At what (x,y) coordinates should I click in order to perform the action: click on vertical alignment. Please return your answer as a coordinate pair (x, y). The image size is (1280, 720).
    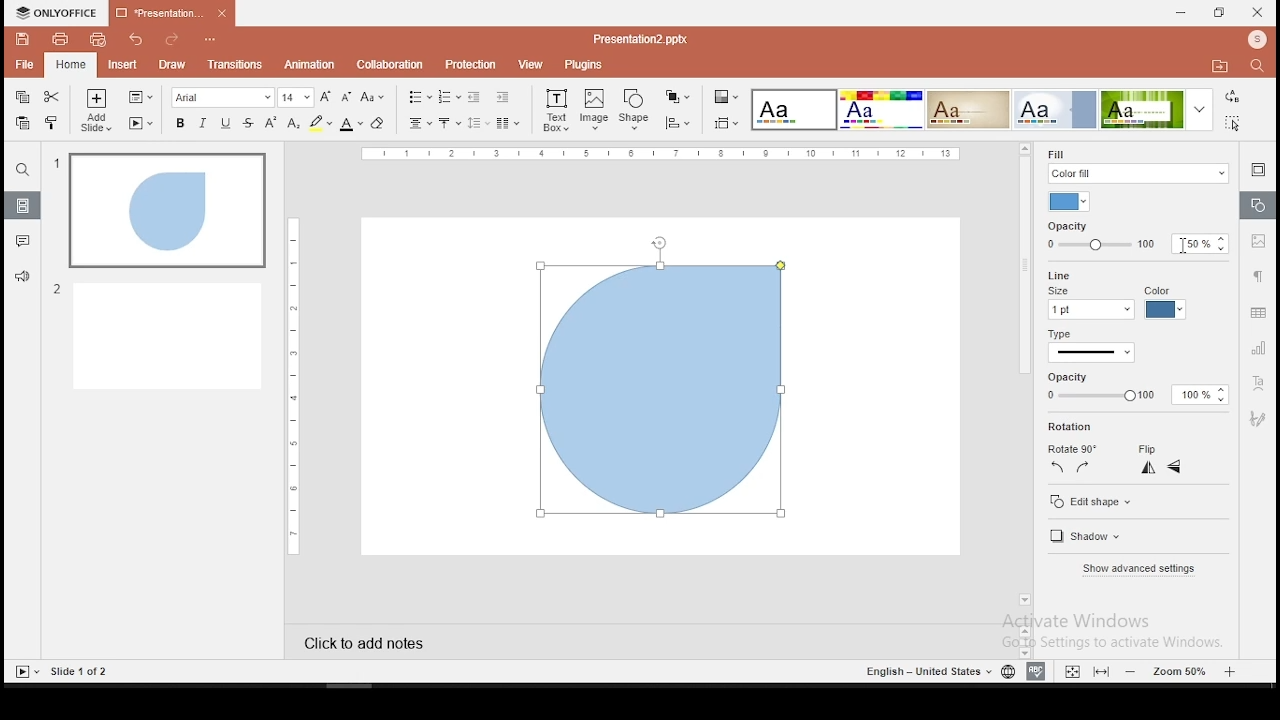
    Looking at the image, I should click on (448, 123).